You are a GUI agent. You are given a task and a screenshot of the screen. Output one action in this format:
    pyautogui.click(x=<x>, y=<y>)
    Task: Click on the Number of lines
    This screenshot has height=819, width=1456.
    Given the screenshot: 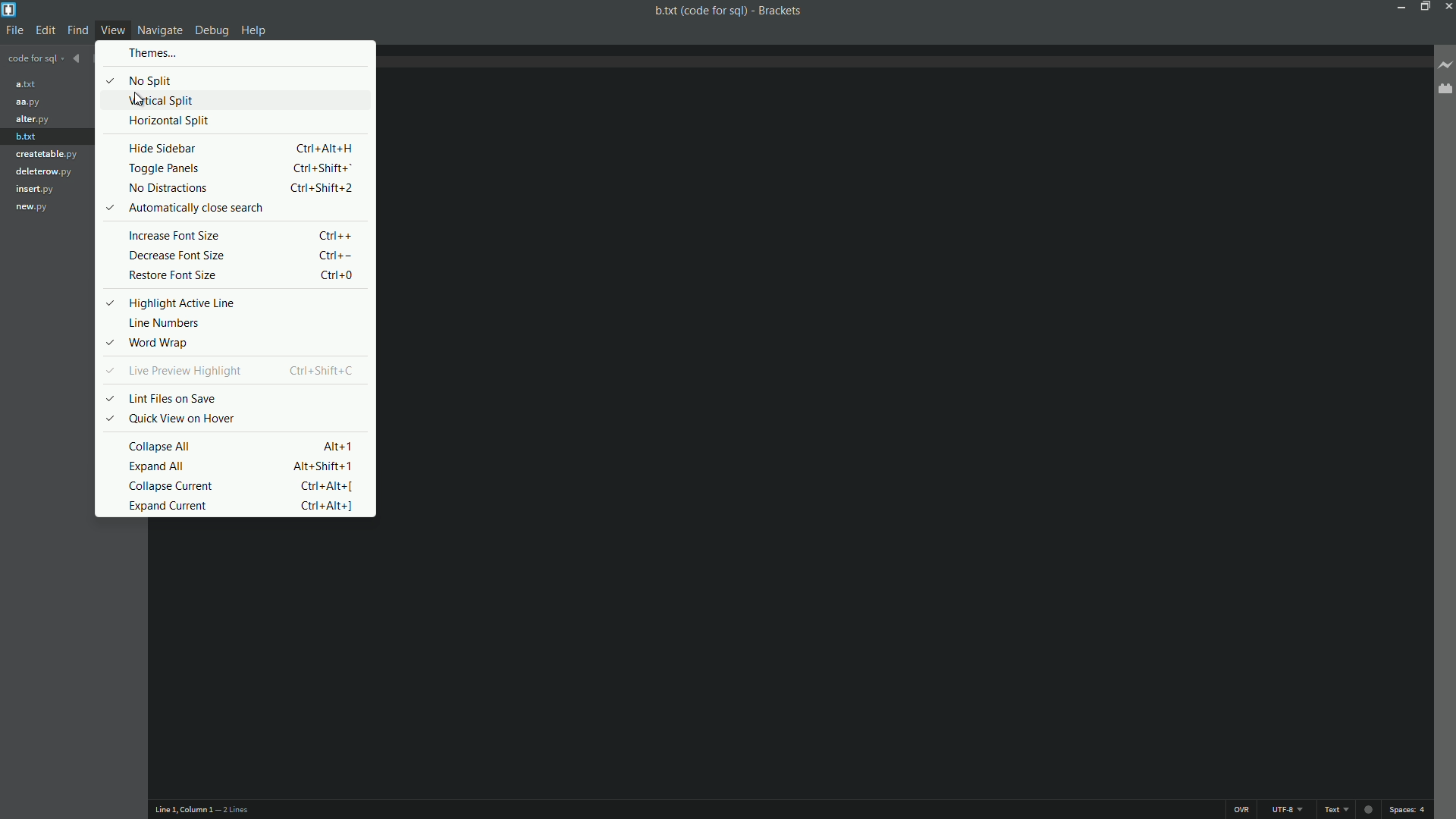 What is the action you would take?
    pyautogui.click(x=236, y=811)
    